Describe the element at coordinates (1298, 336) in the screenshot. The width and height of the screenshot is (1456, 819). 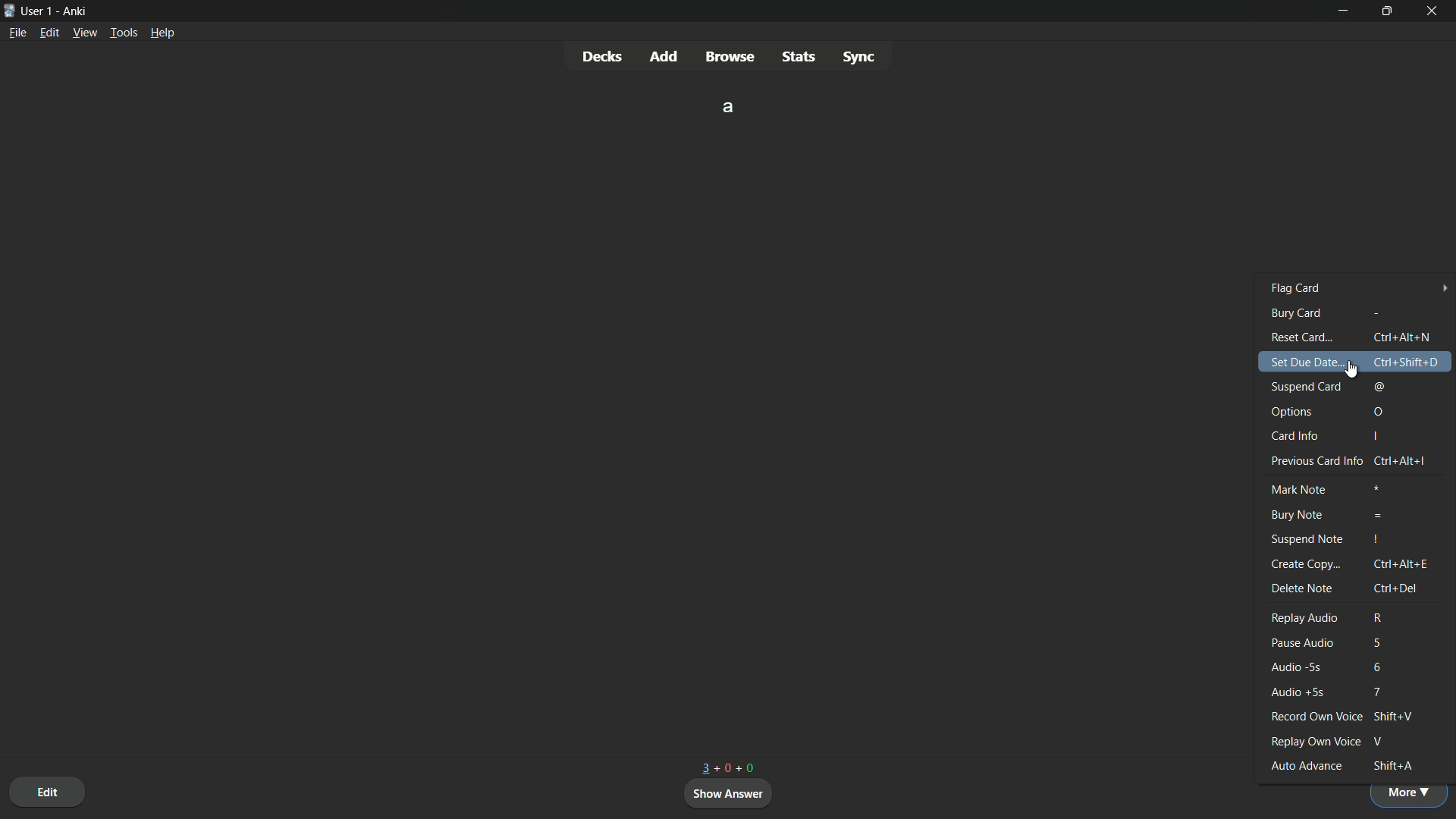
I see `reset card` at that location.